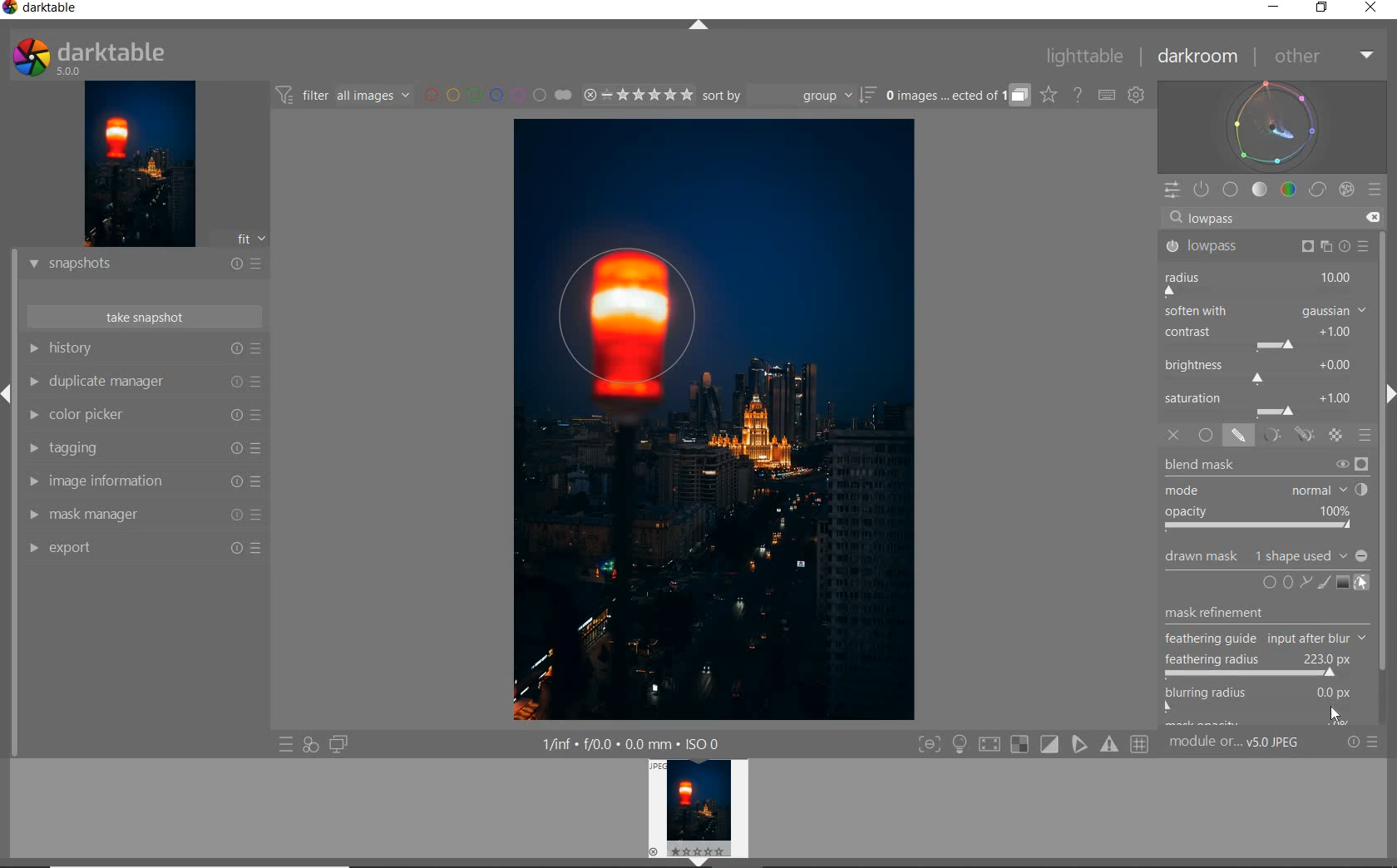 The image size is (1397, 868). What do you see at coordinates (1260, 190) in the screenshot?
I see `TONE` at bounding box center [1260, 190].